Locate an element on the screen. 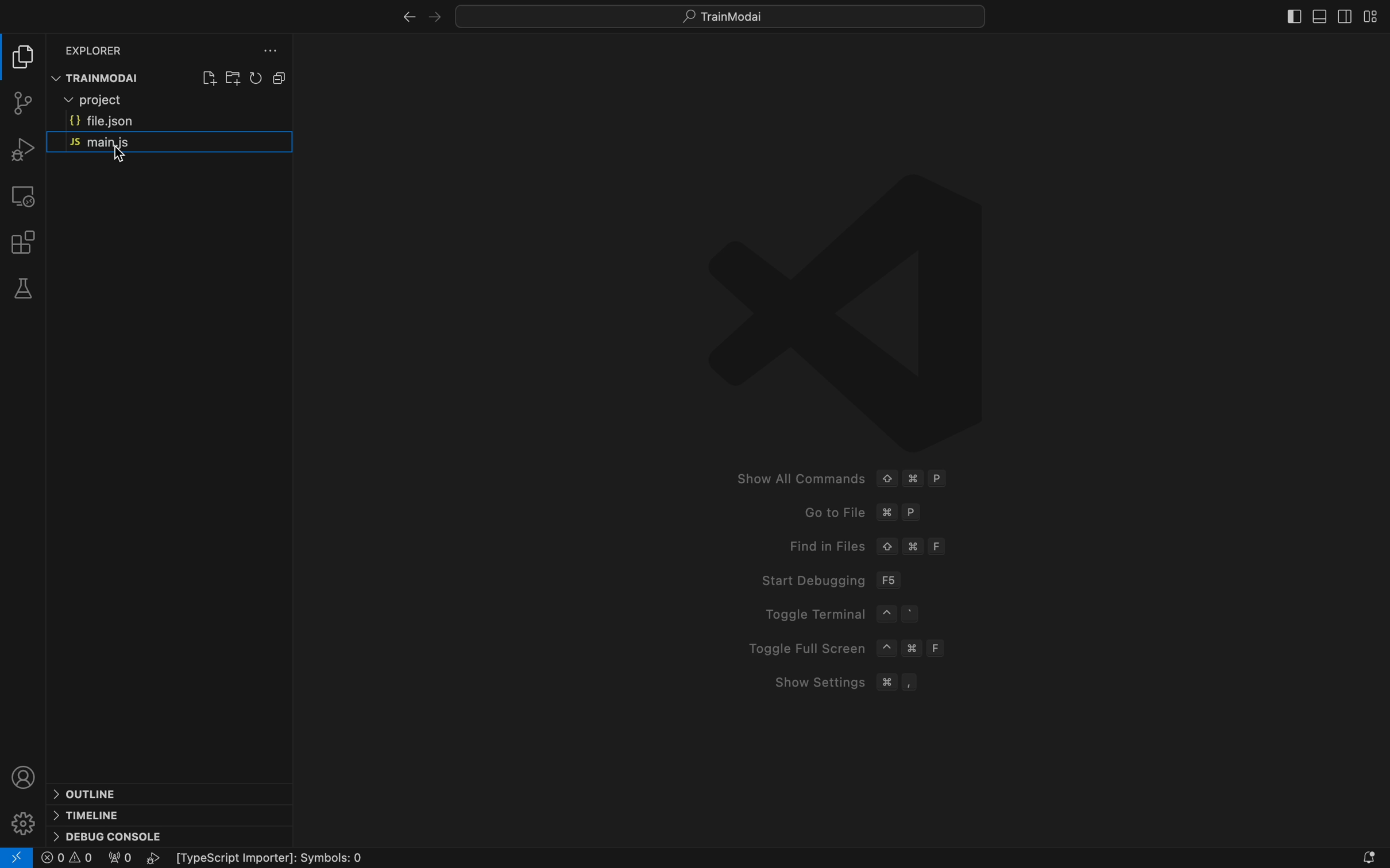 This screenshot has height=868, width=1390. Toggle is located at coordinates (835, 611).